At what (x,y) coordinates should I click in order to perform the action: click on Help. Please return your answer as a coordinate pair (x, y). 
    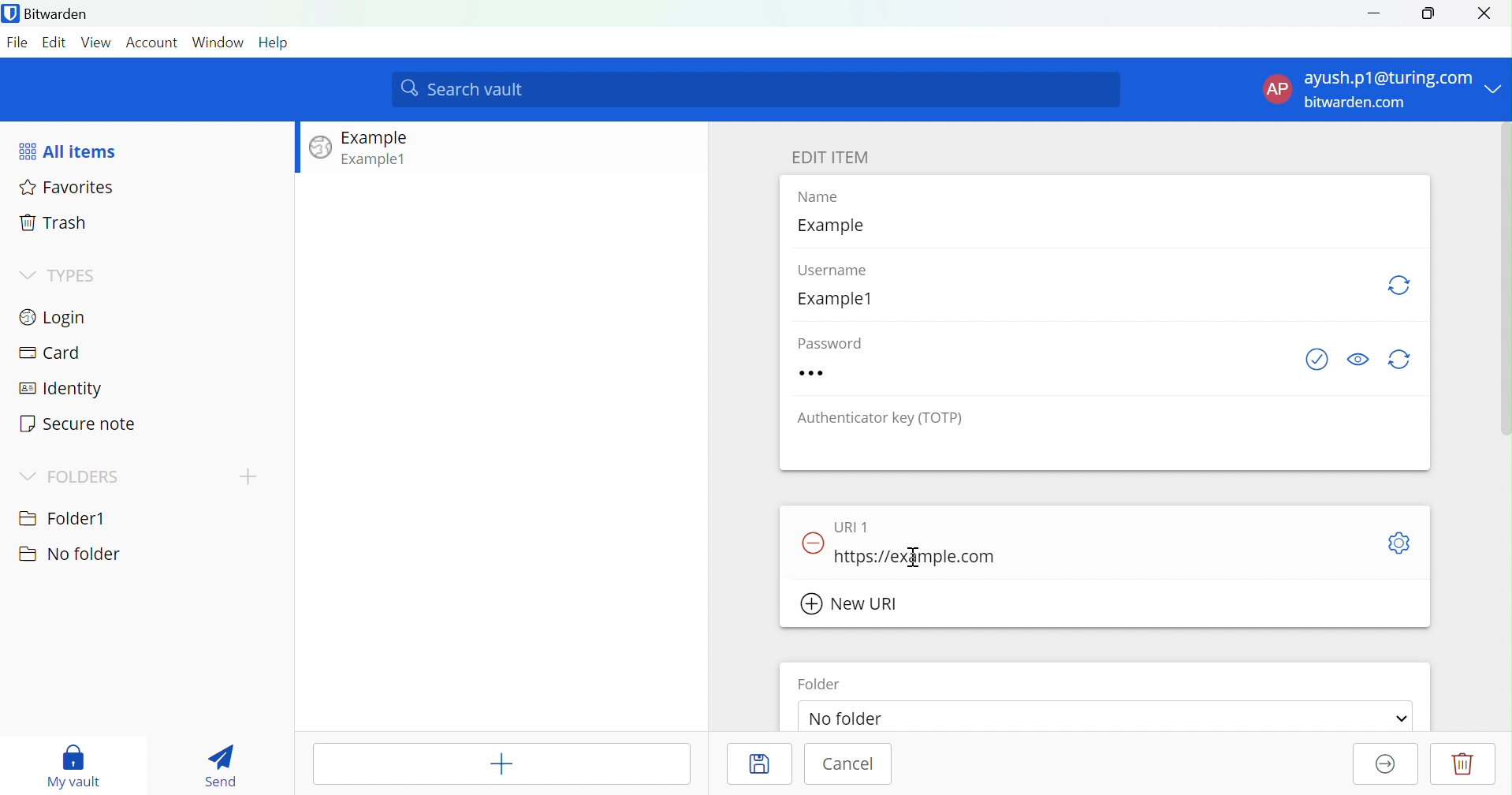
    Looking at the image, I should click on (275, 42).